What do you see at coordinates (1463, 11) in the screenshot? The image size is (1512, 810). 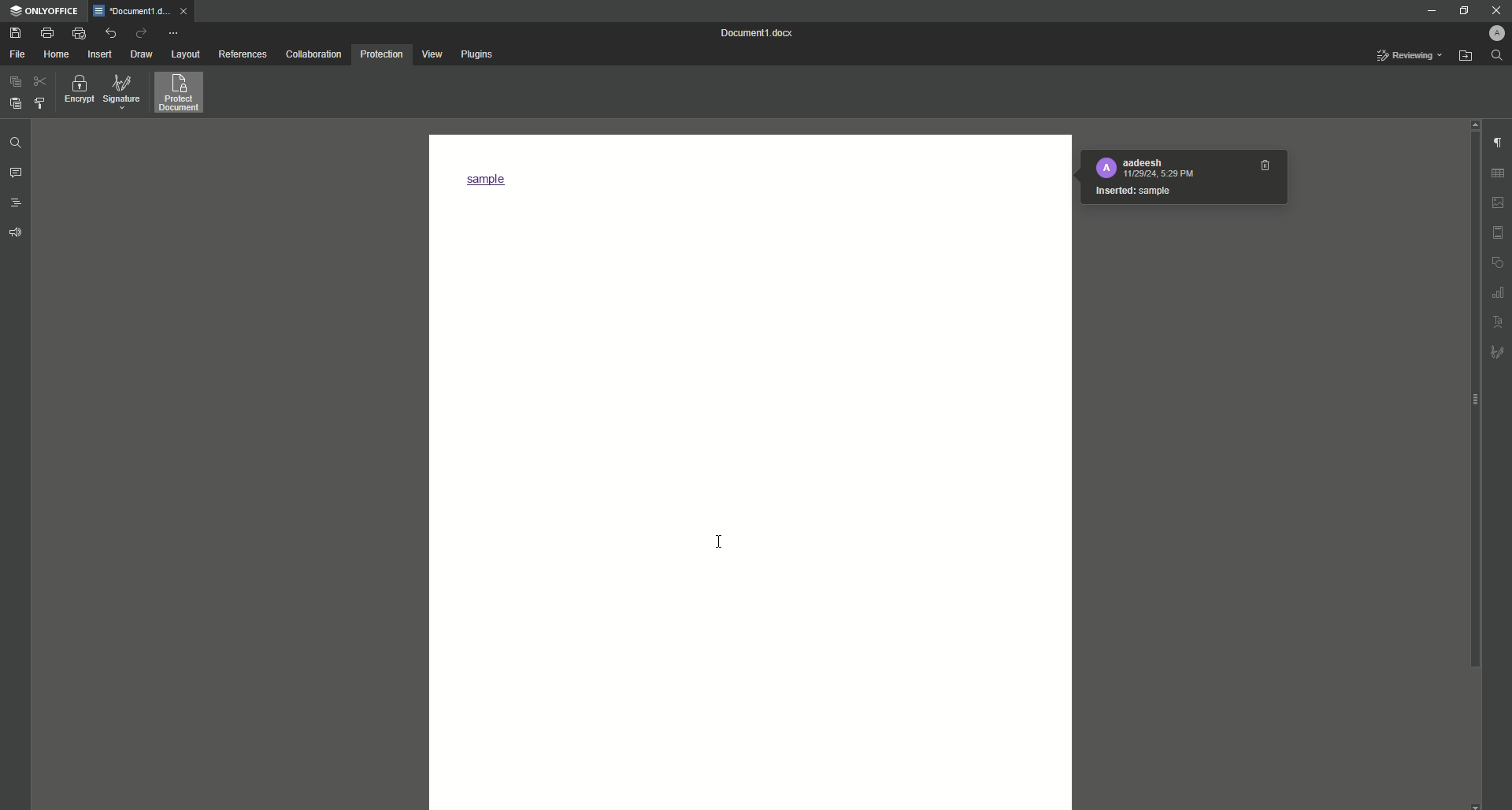 I see `Restore` at bounding box center [1463, 11].